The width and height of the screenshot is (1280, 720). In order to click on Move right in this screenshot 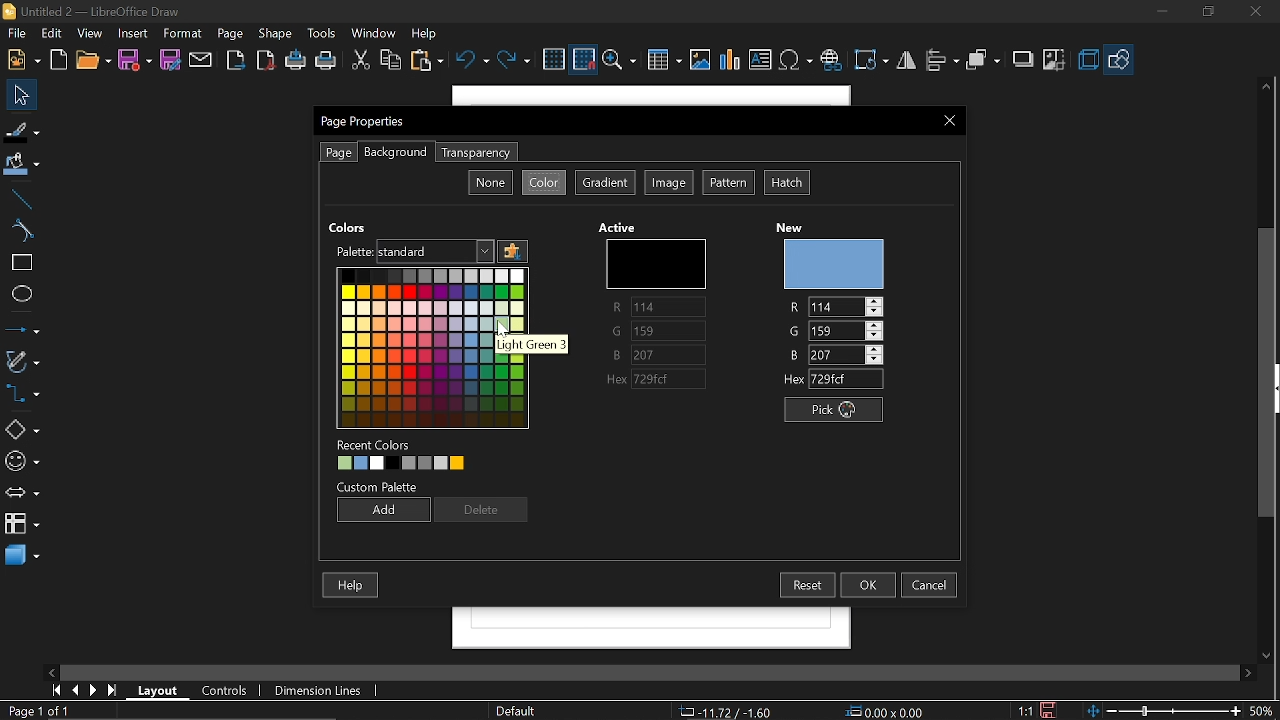, I will do `click(1248, 672)`.